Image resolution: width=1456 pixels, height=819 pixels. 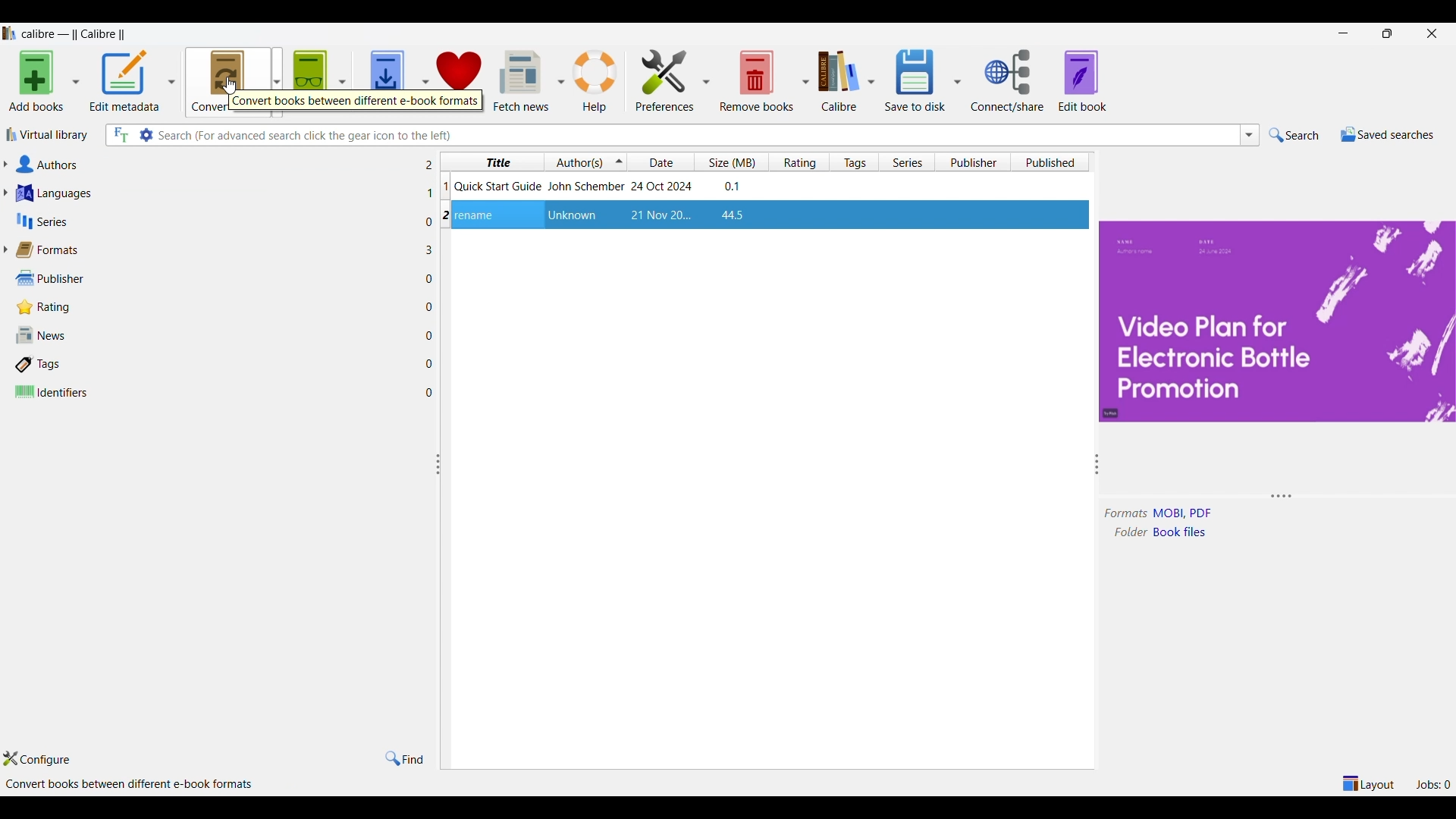 I want to click on Expand authors, so click(x=5, y=165).